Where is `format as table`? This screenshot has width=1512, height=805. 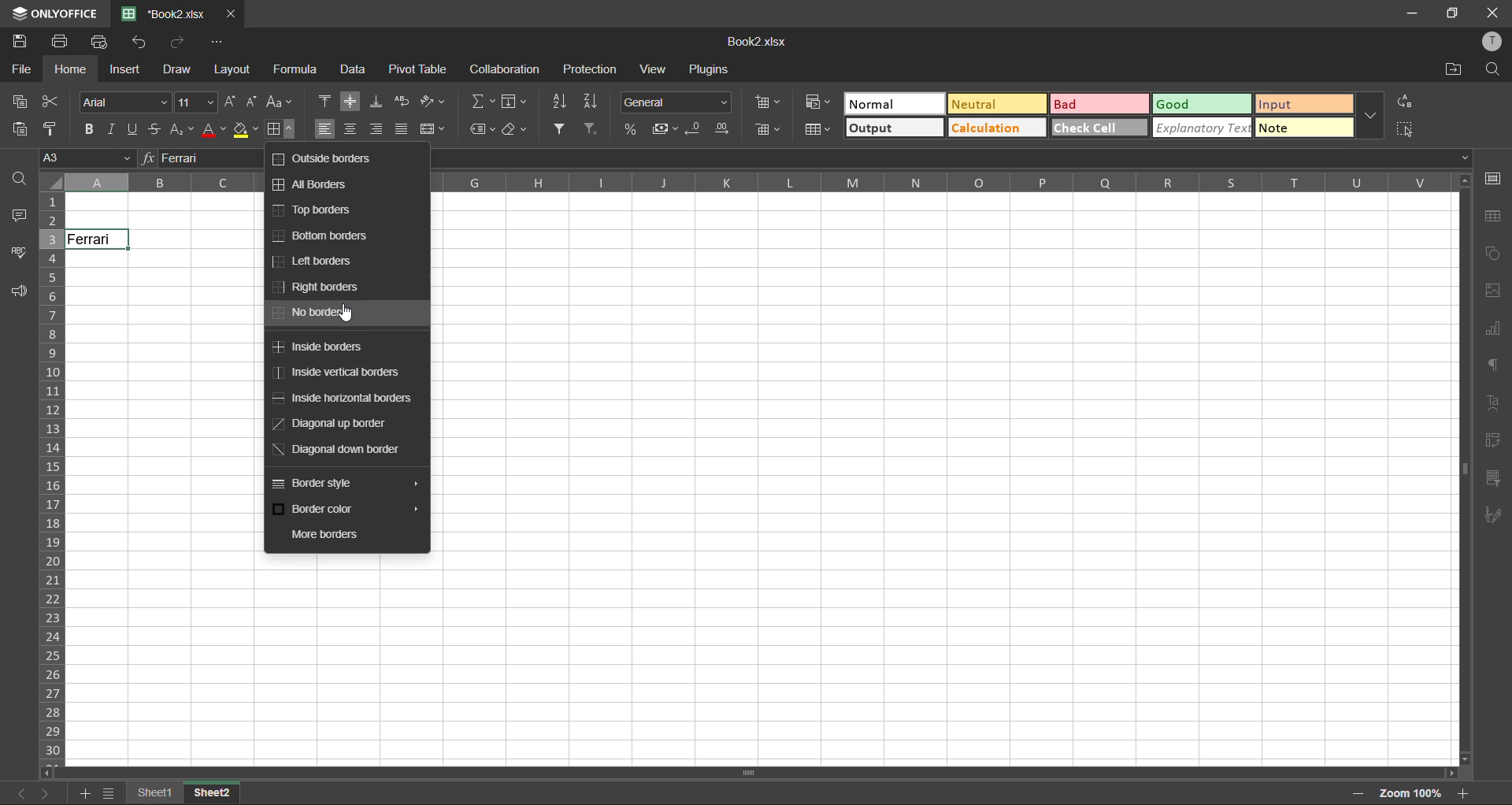
format as table is located at coordinates (817, 131).